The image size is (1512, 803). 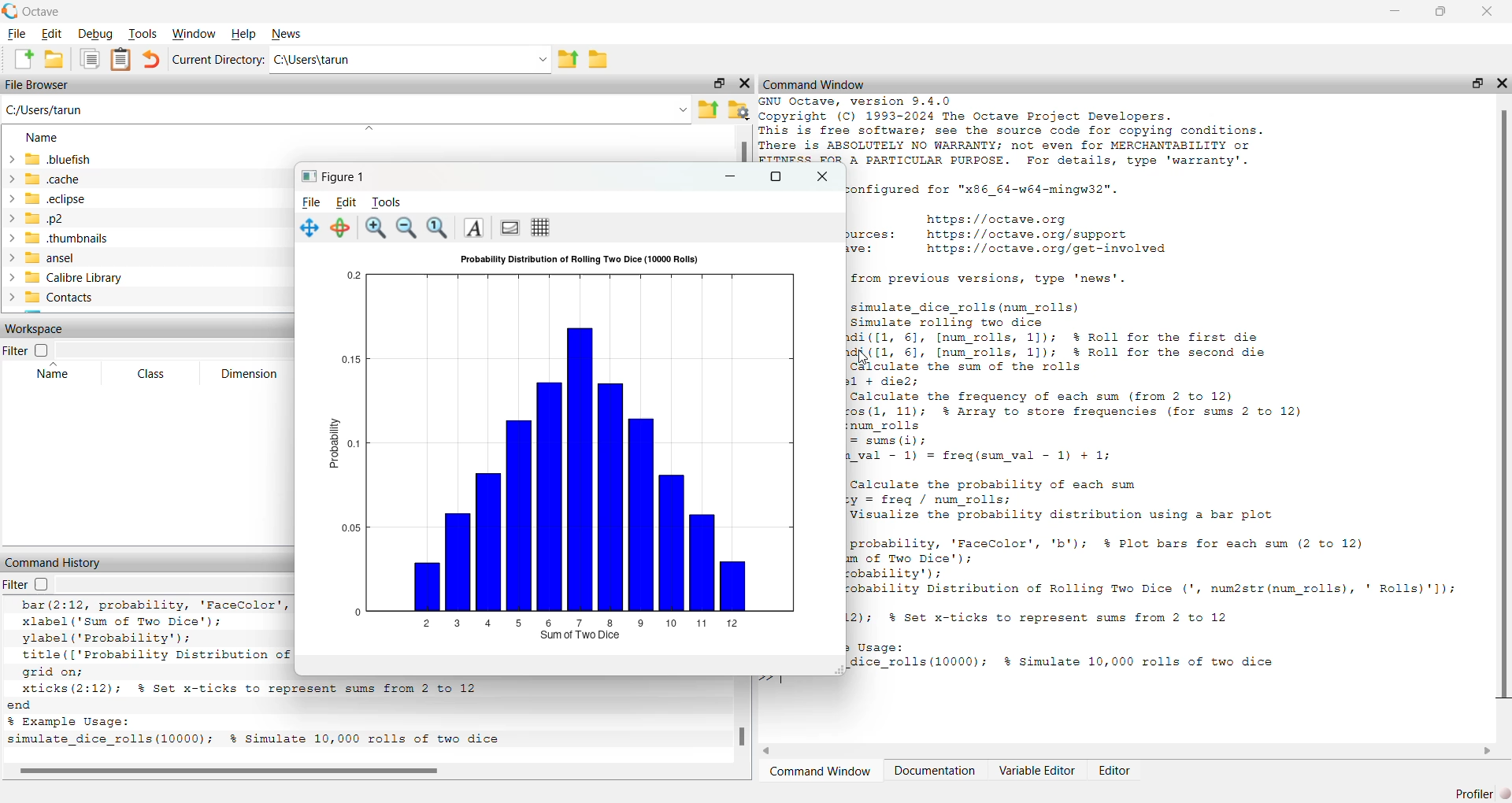 What do you see at coordinates (65, 277) in the screenshot?
I see `Calibre Library` at bounding box center [65, 277].